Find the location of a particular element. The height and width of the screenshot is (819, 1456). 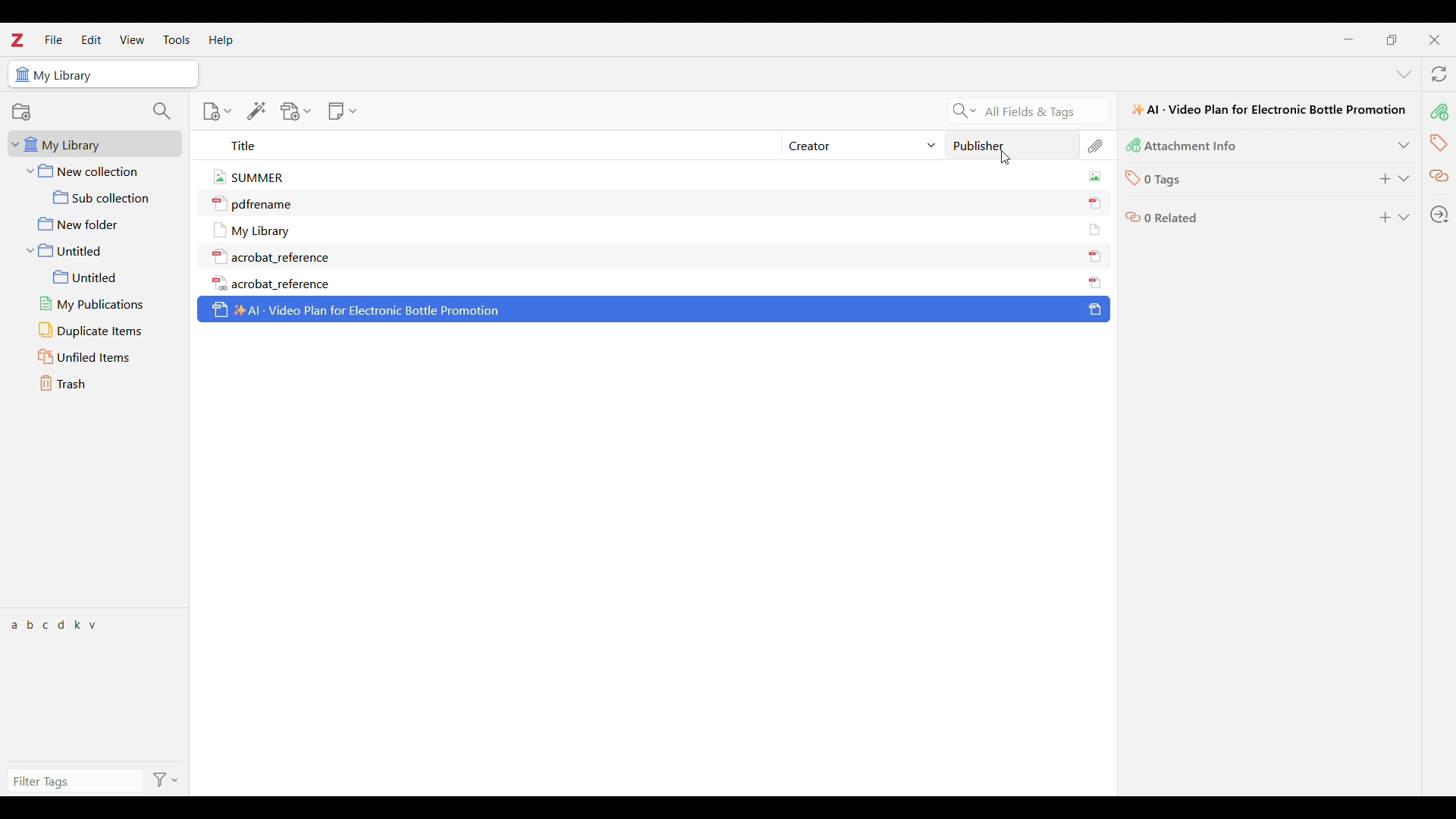

Sync with zotero.org is located at coordinates (1438, 75).